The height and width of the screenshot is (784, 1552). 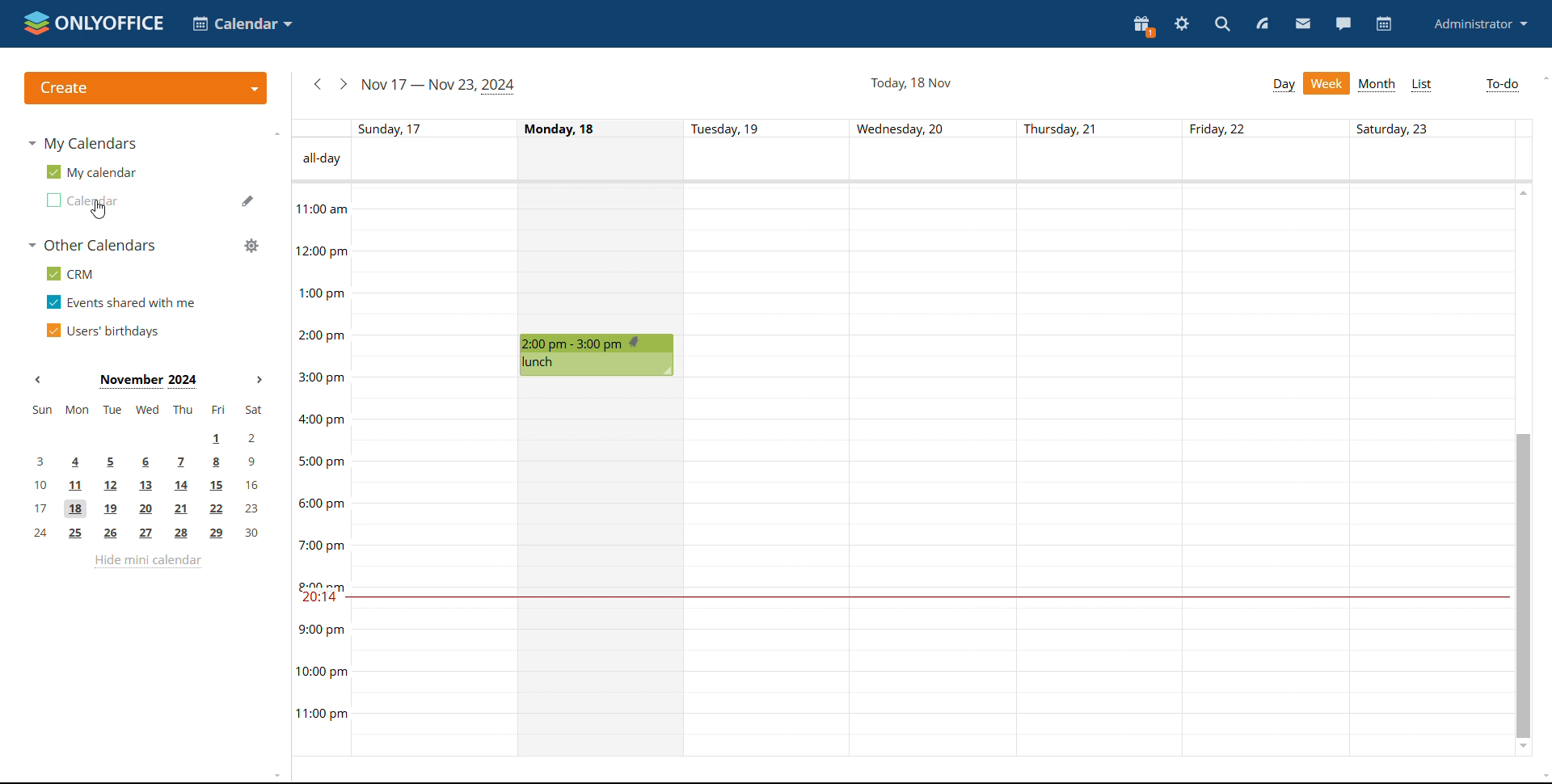 What do you see at coordinates (260, 379) in the screenshot?
I see `next month` at bounding box center [260, 379].